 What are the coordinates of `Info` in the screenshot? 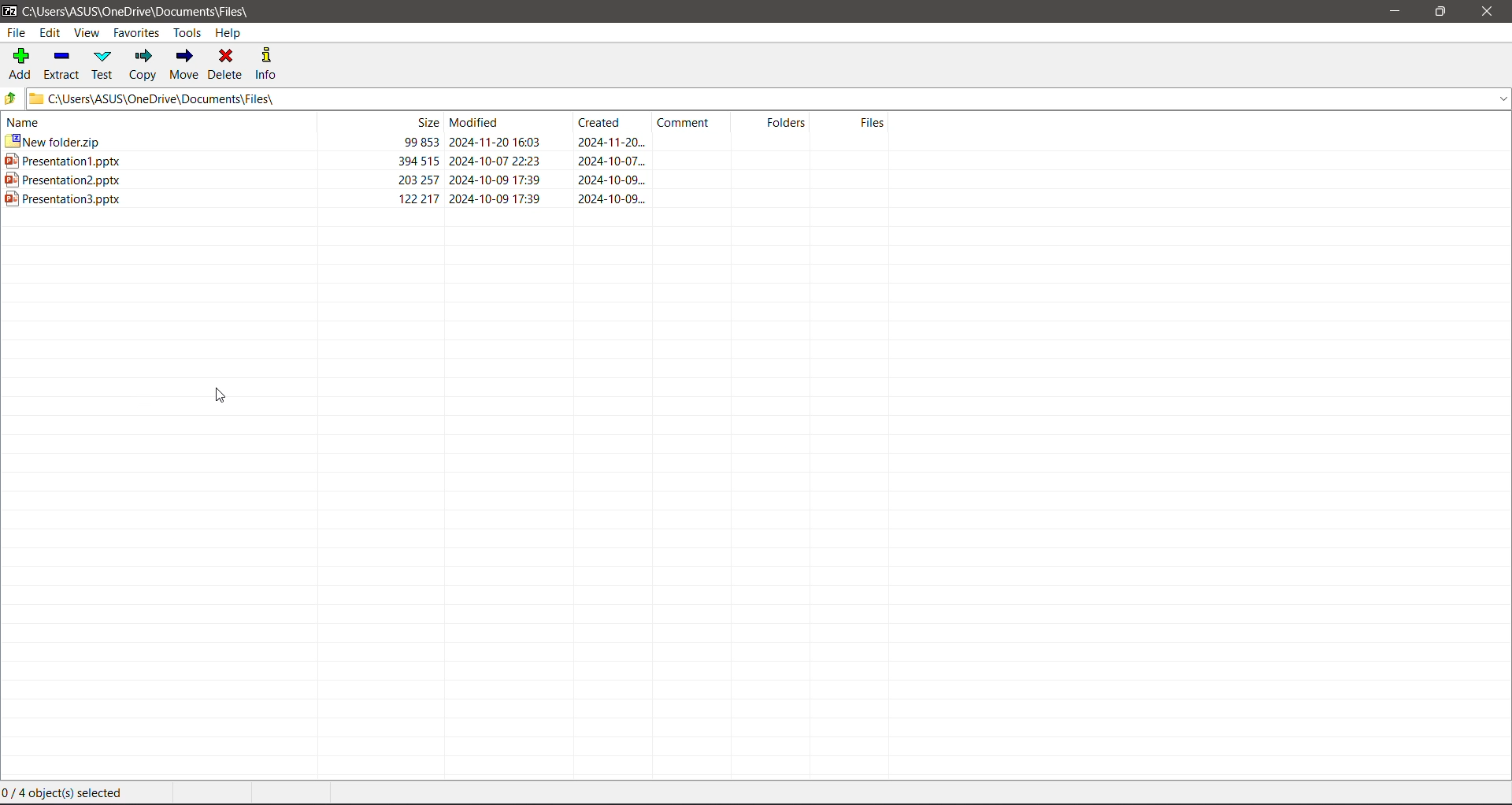 It's located at (267, 63).